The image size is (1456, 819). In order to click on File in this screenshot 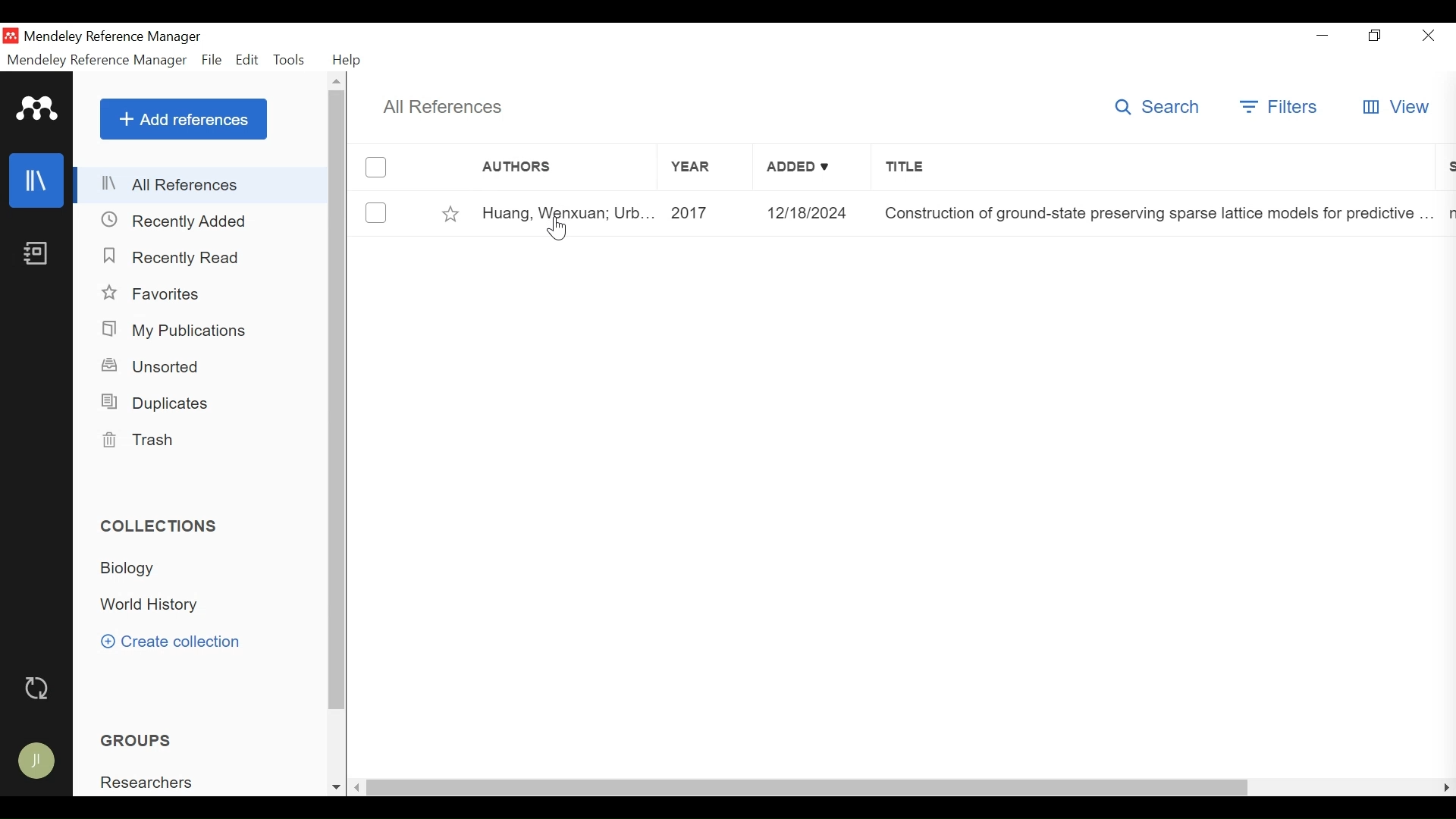, I will do `click(212, 60)`.